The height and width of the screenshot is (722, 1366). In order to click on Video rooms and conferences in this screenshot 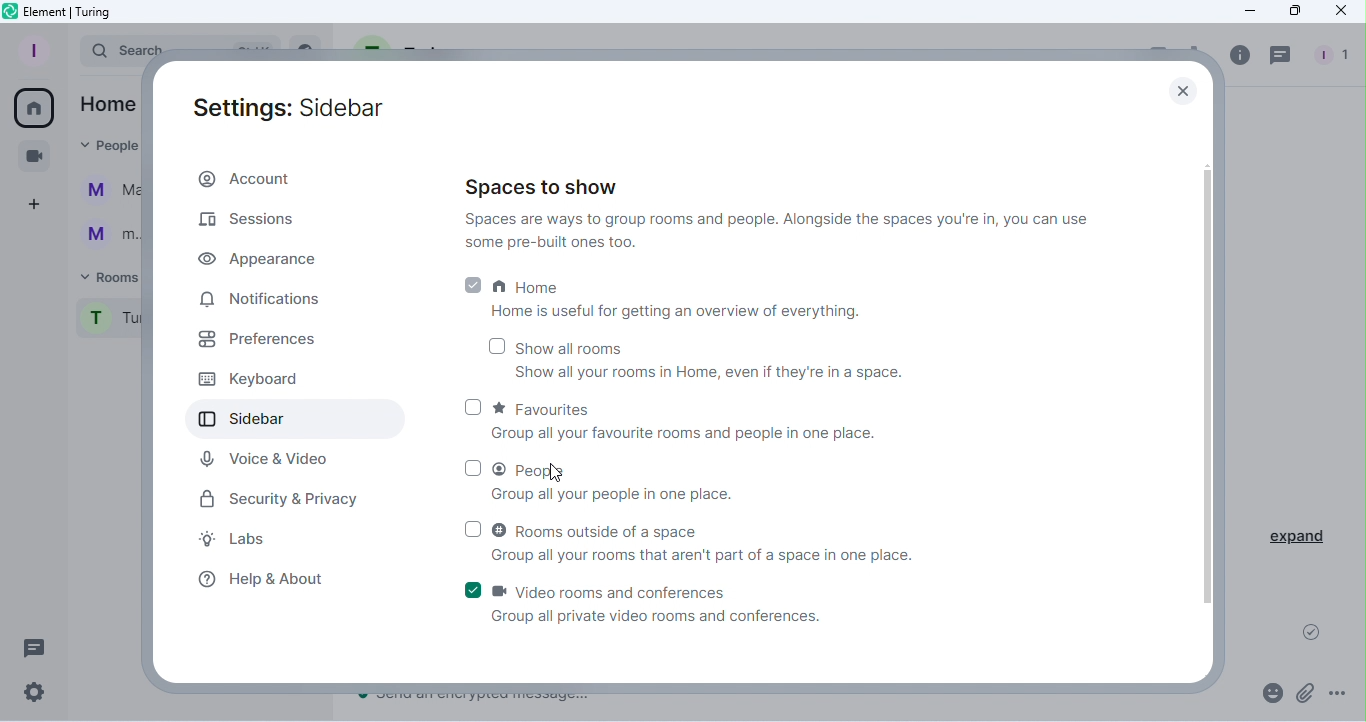, I will do `click(649, 600)`.